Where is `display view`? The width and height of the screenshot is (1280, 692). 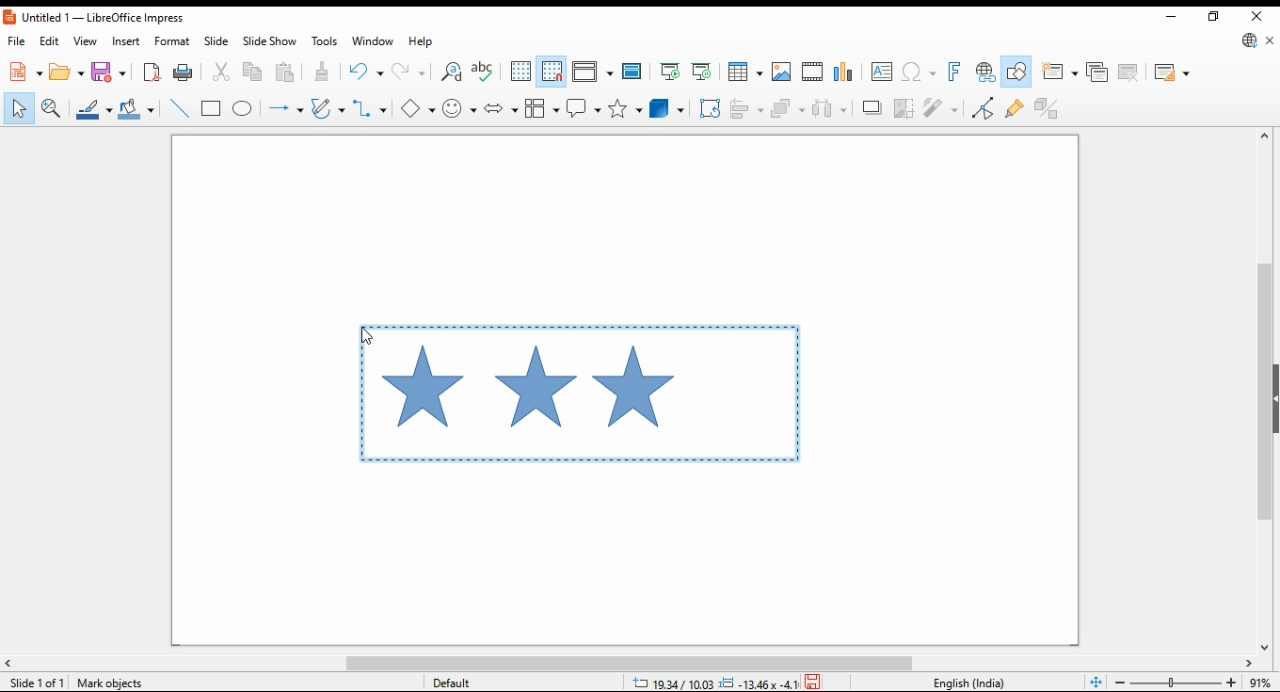
display view is located at coordinates (594, 72).